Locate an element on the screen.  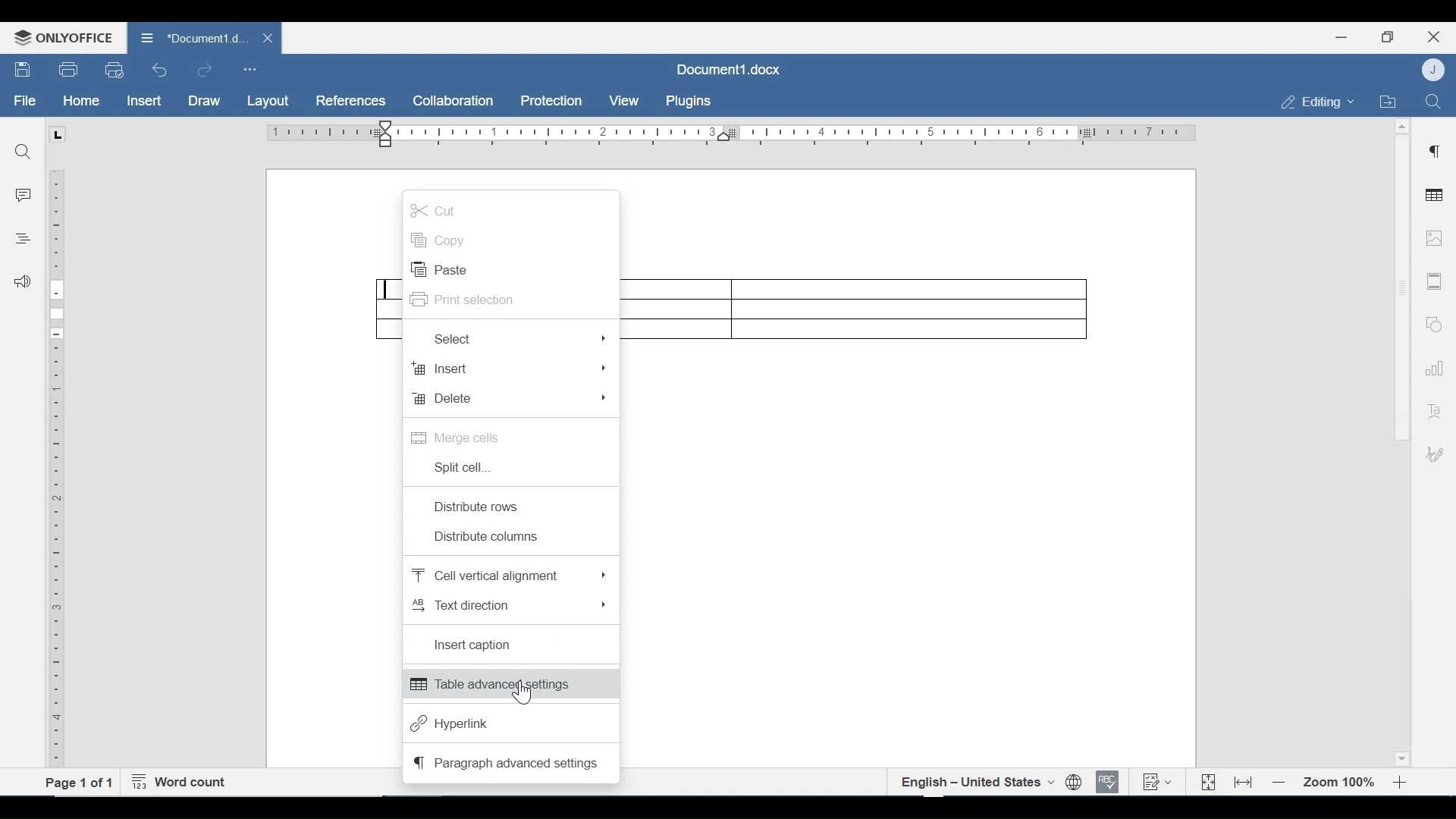
Insert Caption is located at coordinates (476, 645).